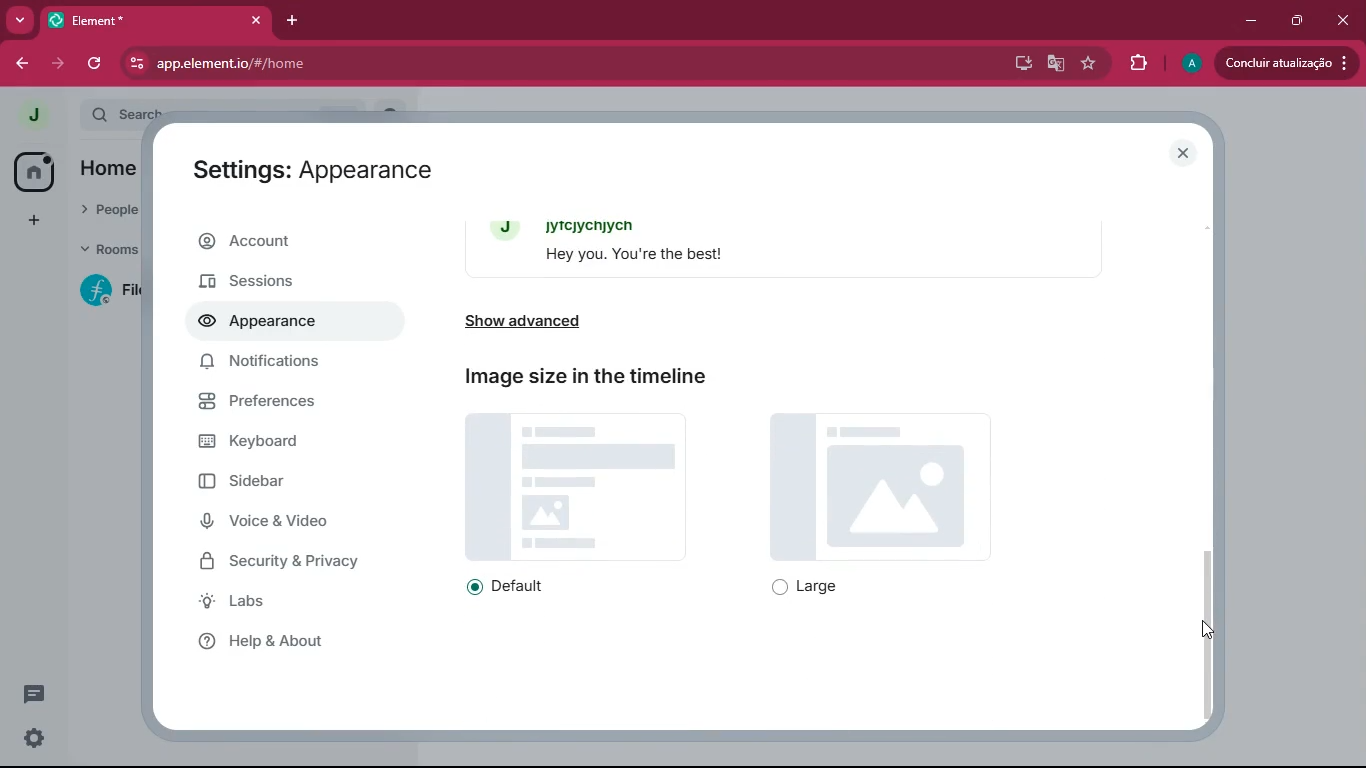 This screenshot has width=1366, height=768. I want to click on message bubbles, so click(793, 246).